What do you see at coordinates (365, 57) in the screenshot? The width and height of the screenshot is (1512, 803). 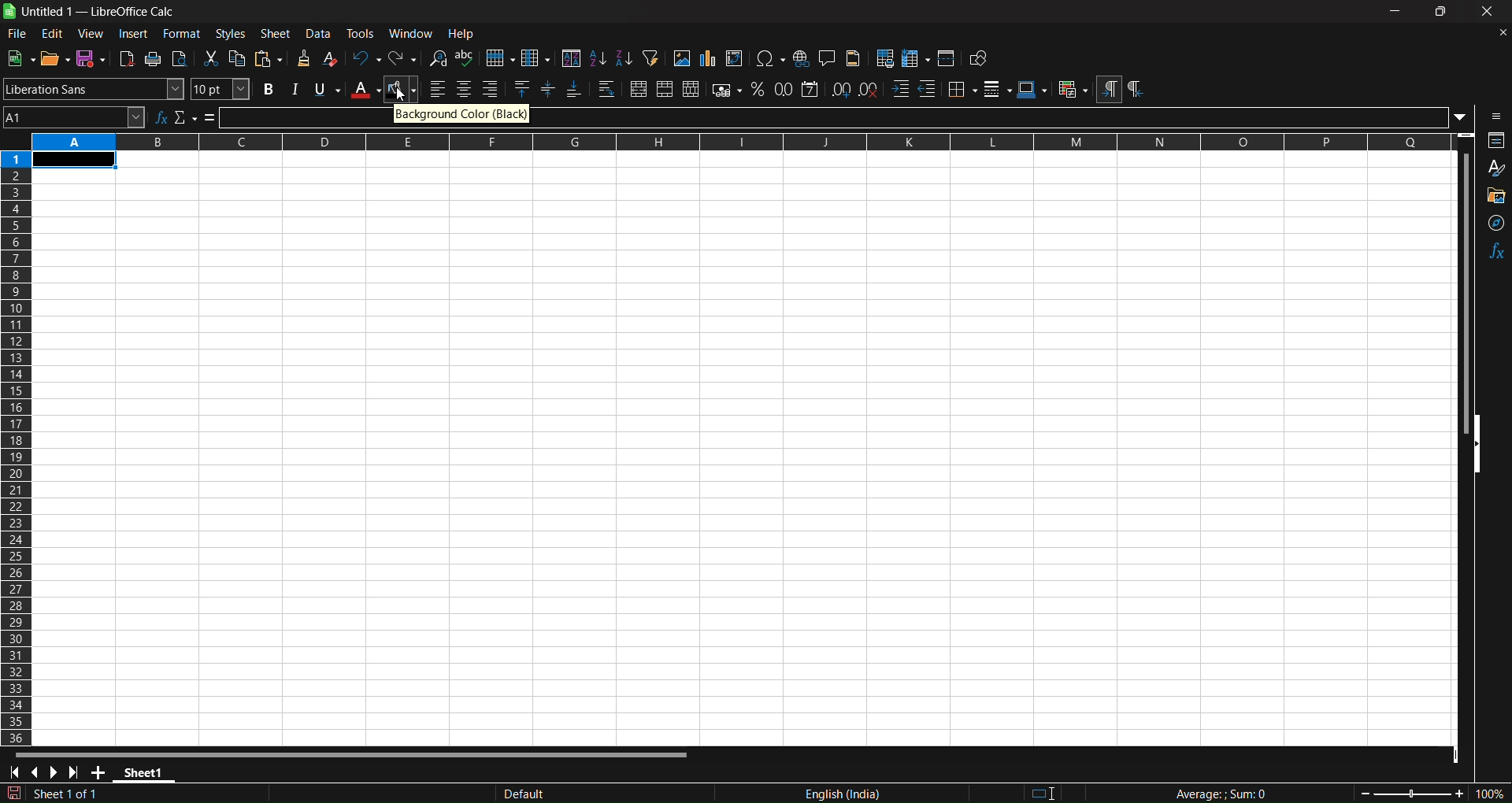 I see `undo` at bounding box center [365, 57].